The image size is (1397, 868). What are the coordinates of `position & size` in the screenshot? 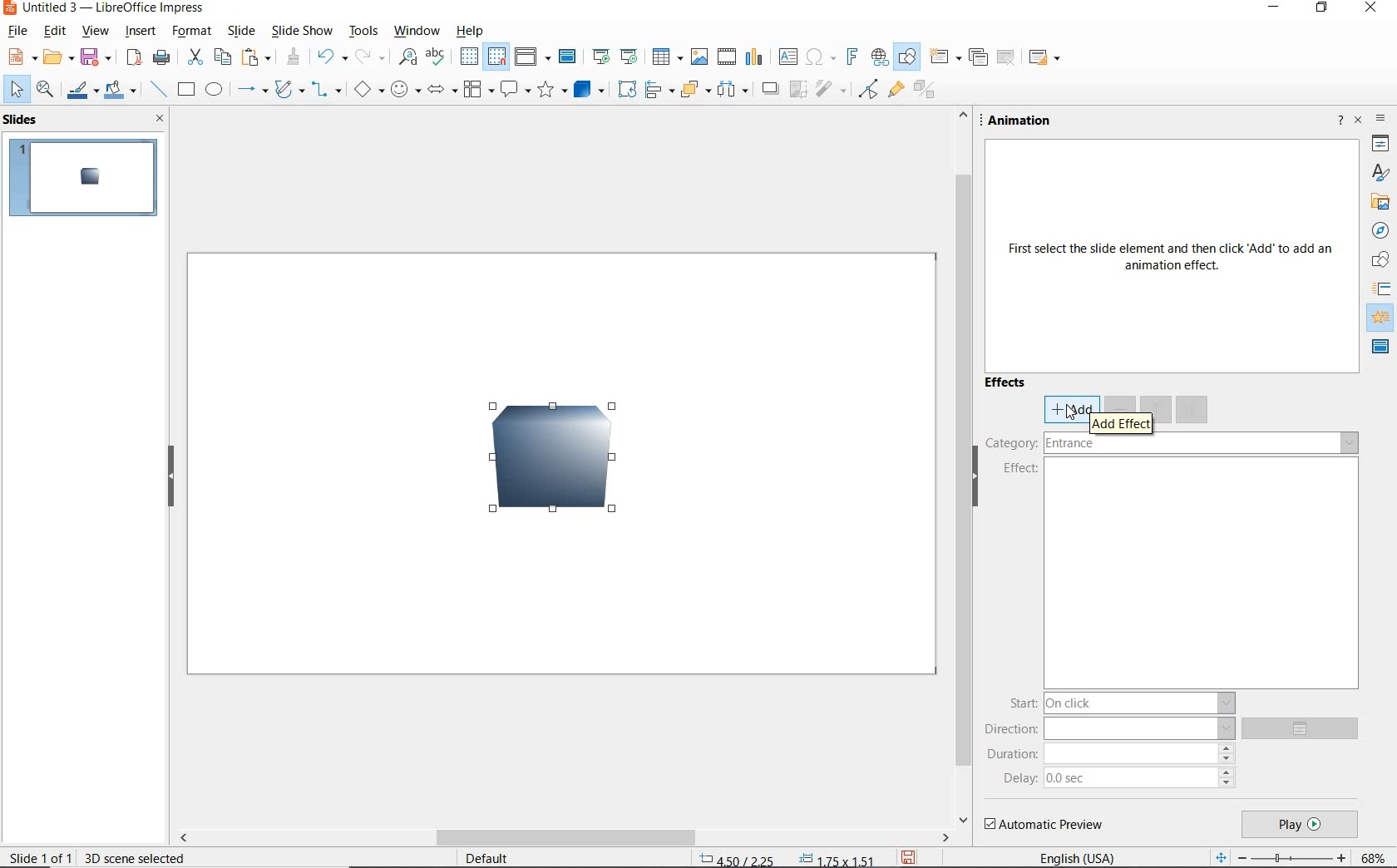 It's located at (788, 857).